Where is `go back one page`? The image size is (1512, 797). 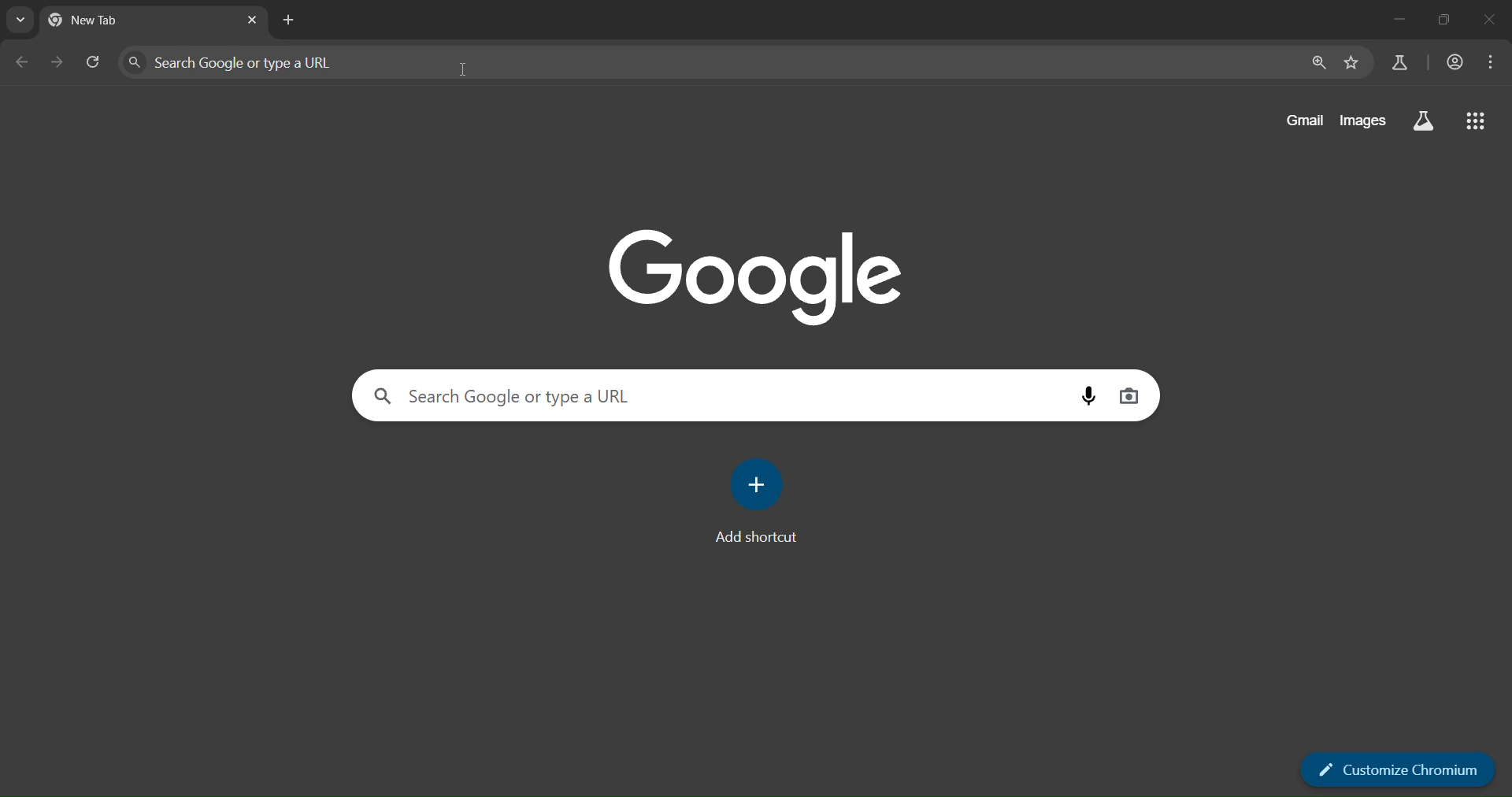 go back one page is located at coordinates (25, 63).